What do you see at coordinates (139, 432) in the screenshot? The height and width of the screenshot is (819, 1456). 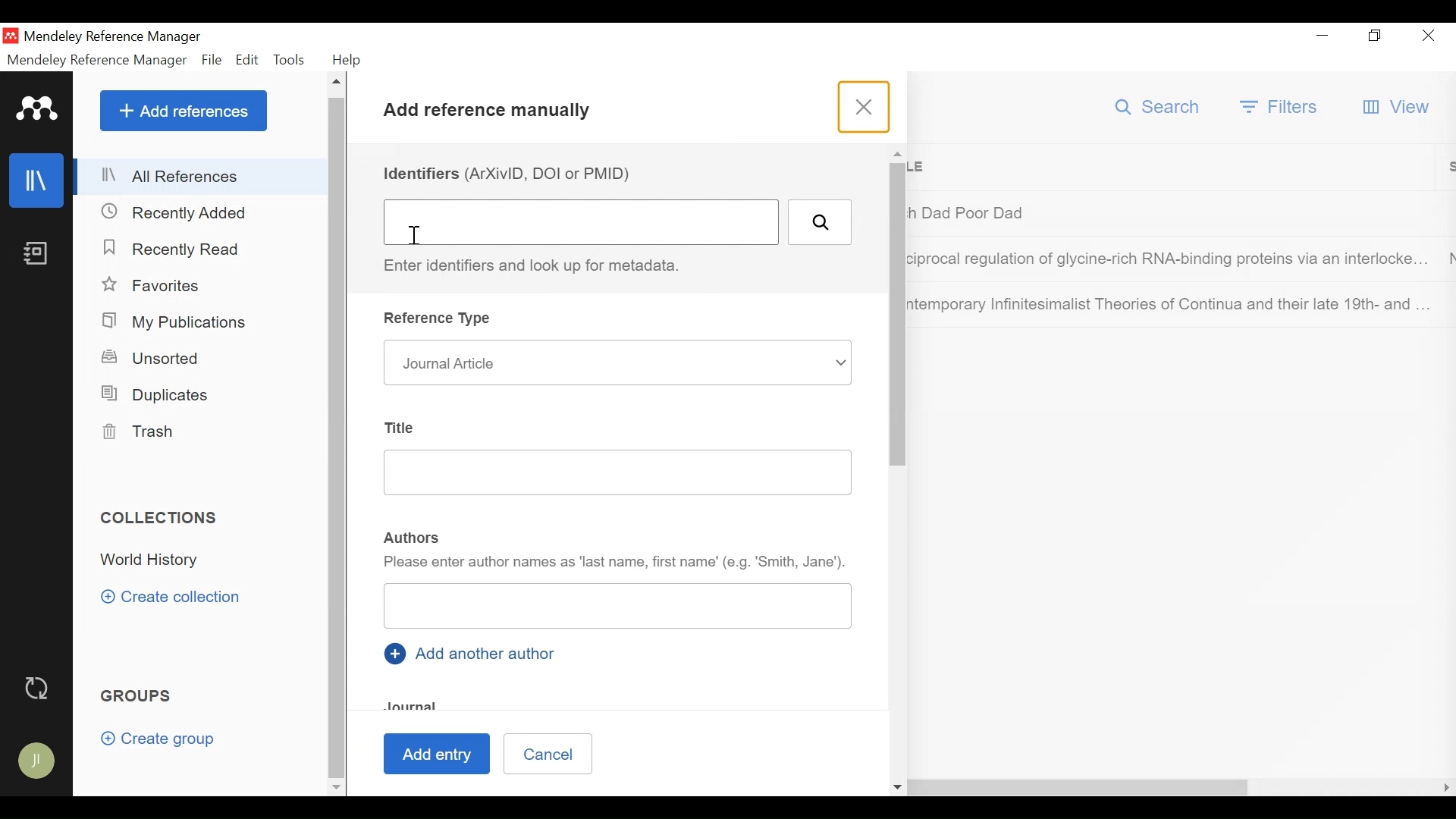 I see `Trash` at bounding box center [139, 432].